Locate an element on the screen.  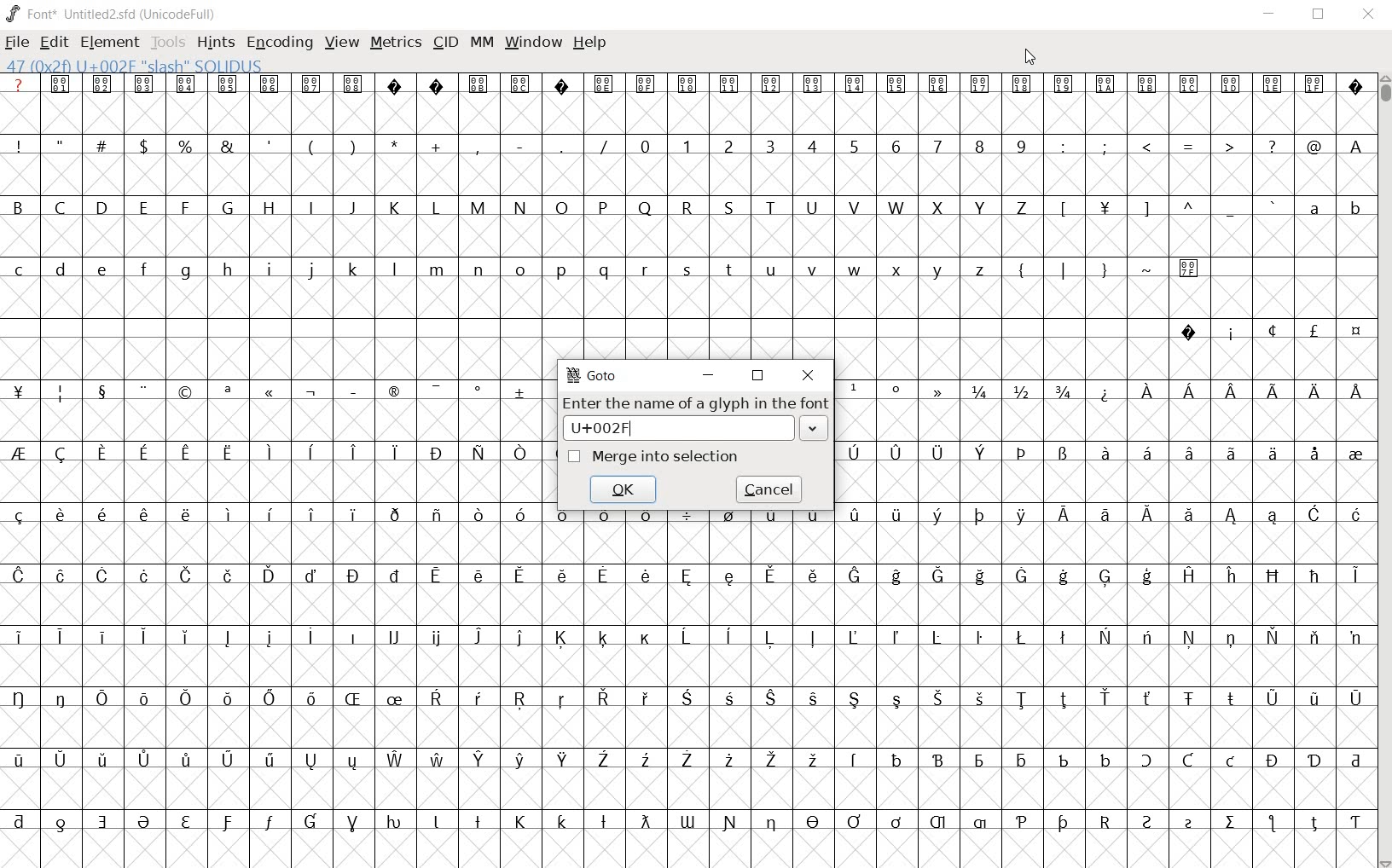
empty cells is located at coordinates (684, 726).